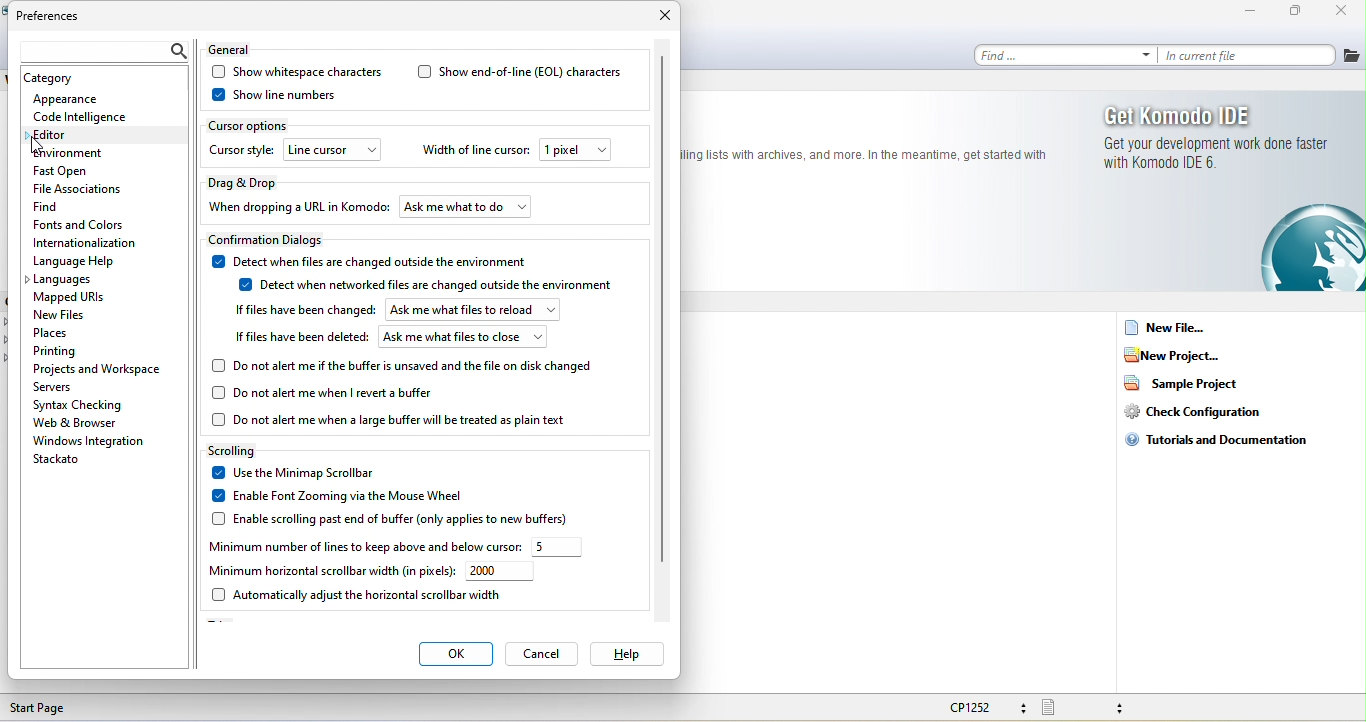 This screenshot has width=1366, height=722. I want to click on internationalization, so click(90, 244).